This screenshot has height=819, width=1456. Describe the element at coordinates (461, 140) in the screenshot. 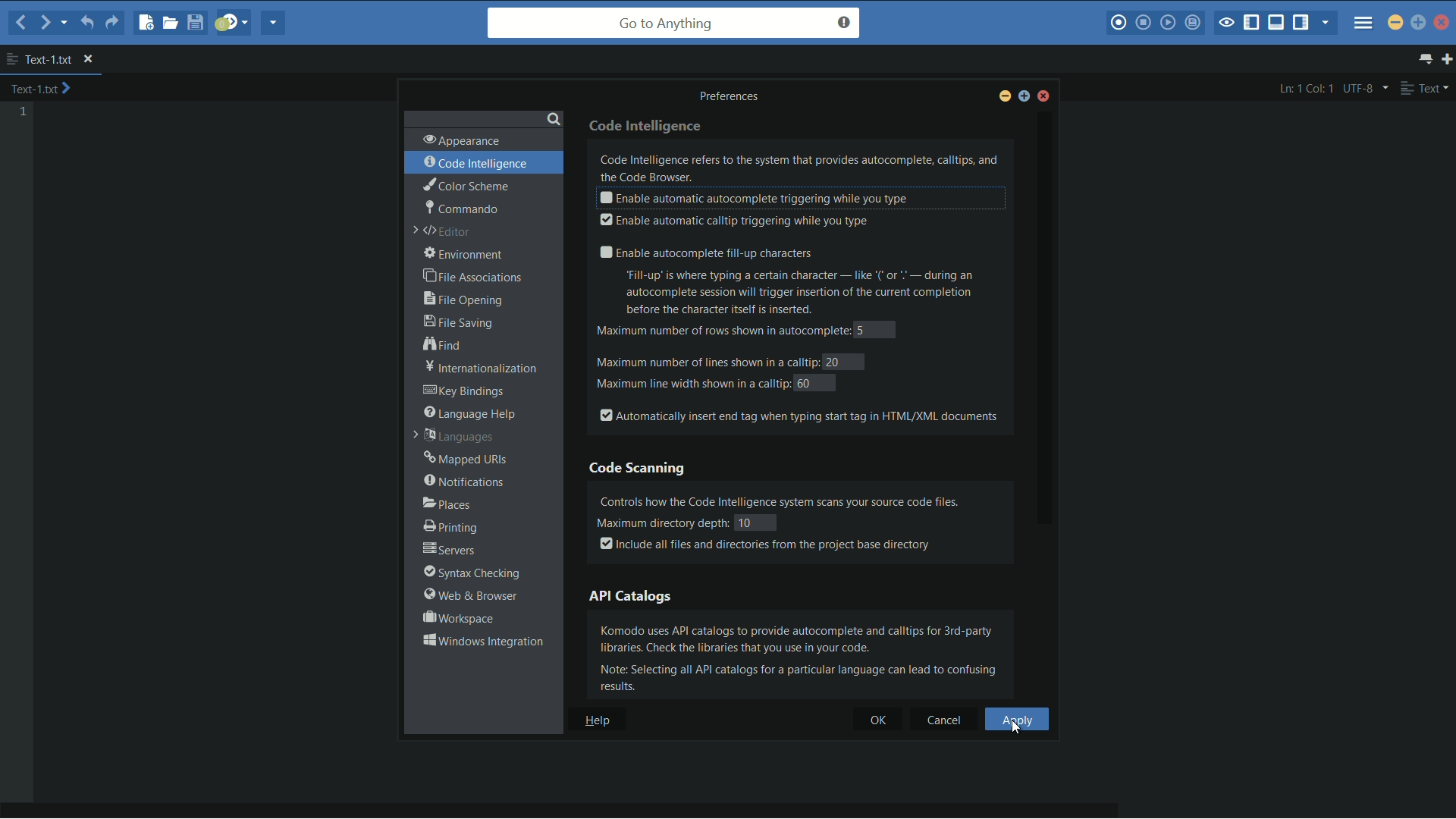

I see `appearance` at that location.